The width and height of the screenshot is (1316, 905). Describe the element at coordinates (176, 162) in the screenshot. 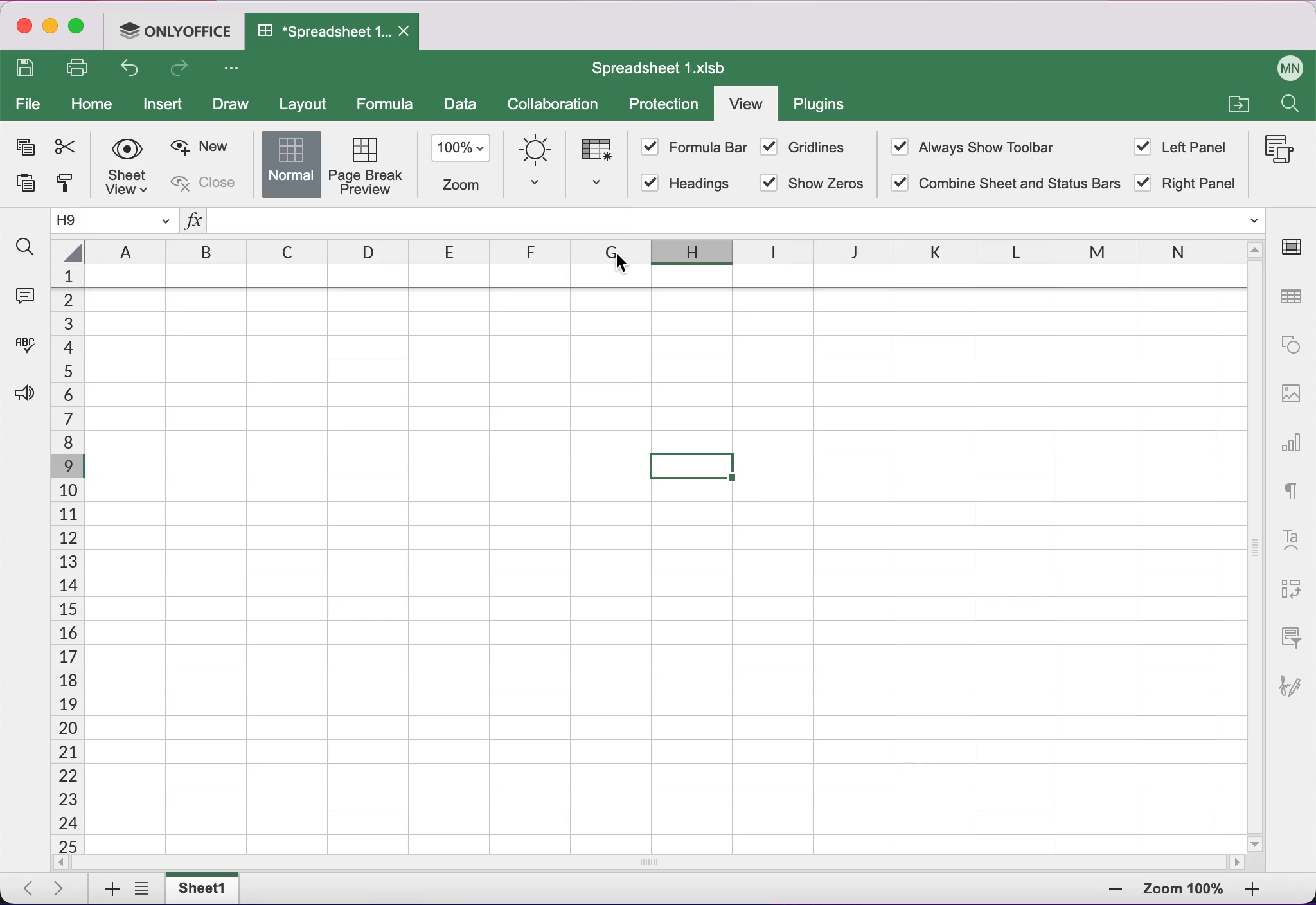

I see `table` at that location.